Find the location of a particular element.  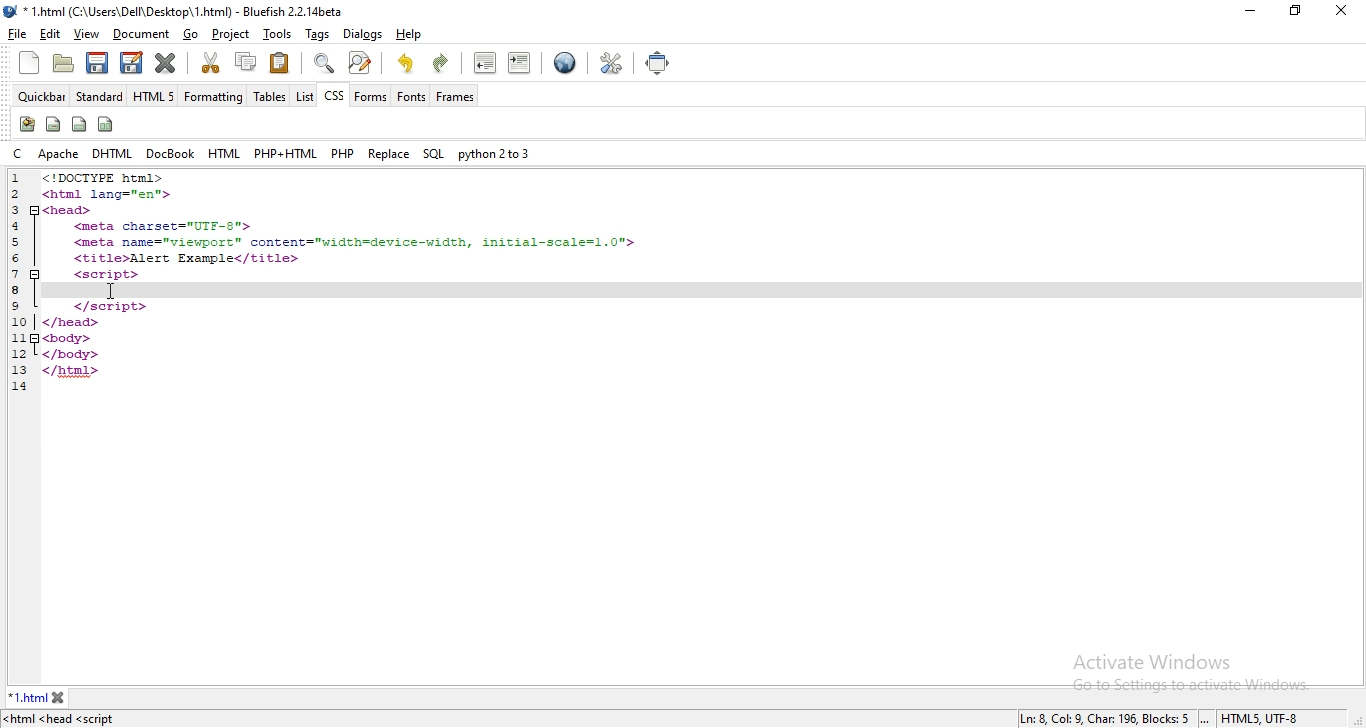

paste is located at coordinates (279, 64).